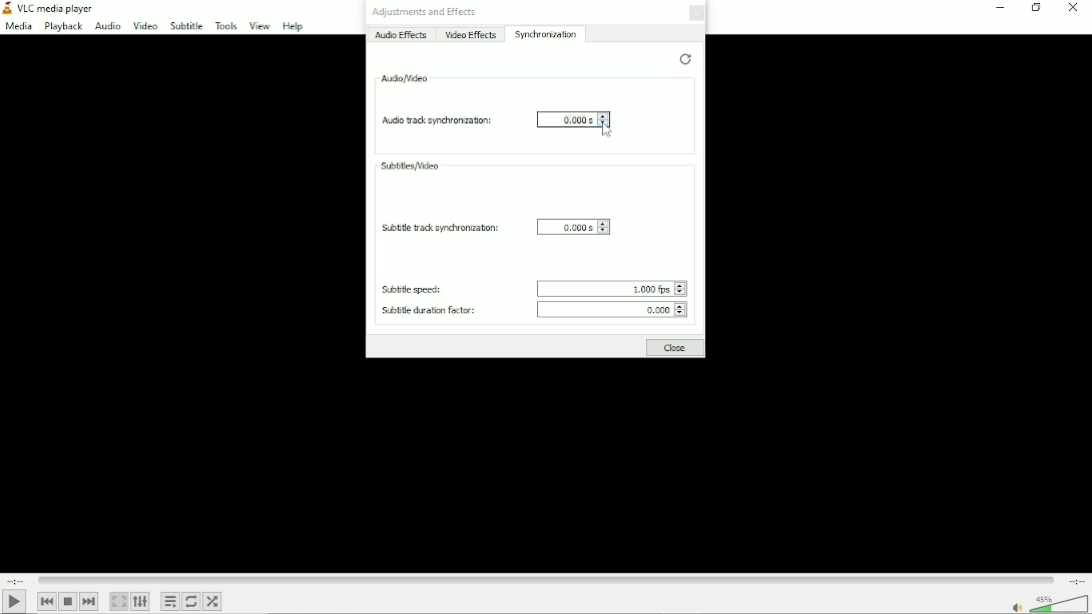 The width and height of the screenshot is (1092, 614). I want to click on Subtitle speed, so click(411, 290).